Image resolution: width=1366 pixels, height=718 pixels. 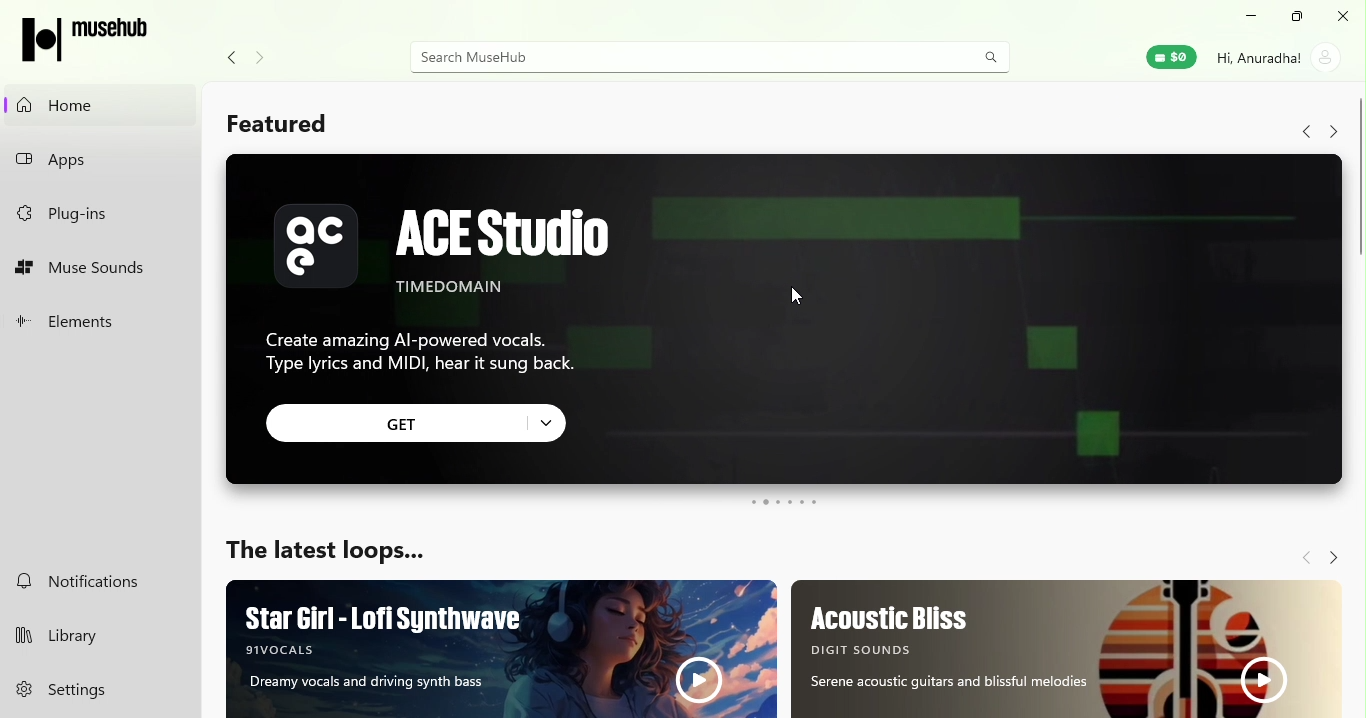 What do you see at coordinates (771, 319) in the screenshot?
I see `Ad` at bounding box center [771, 319].